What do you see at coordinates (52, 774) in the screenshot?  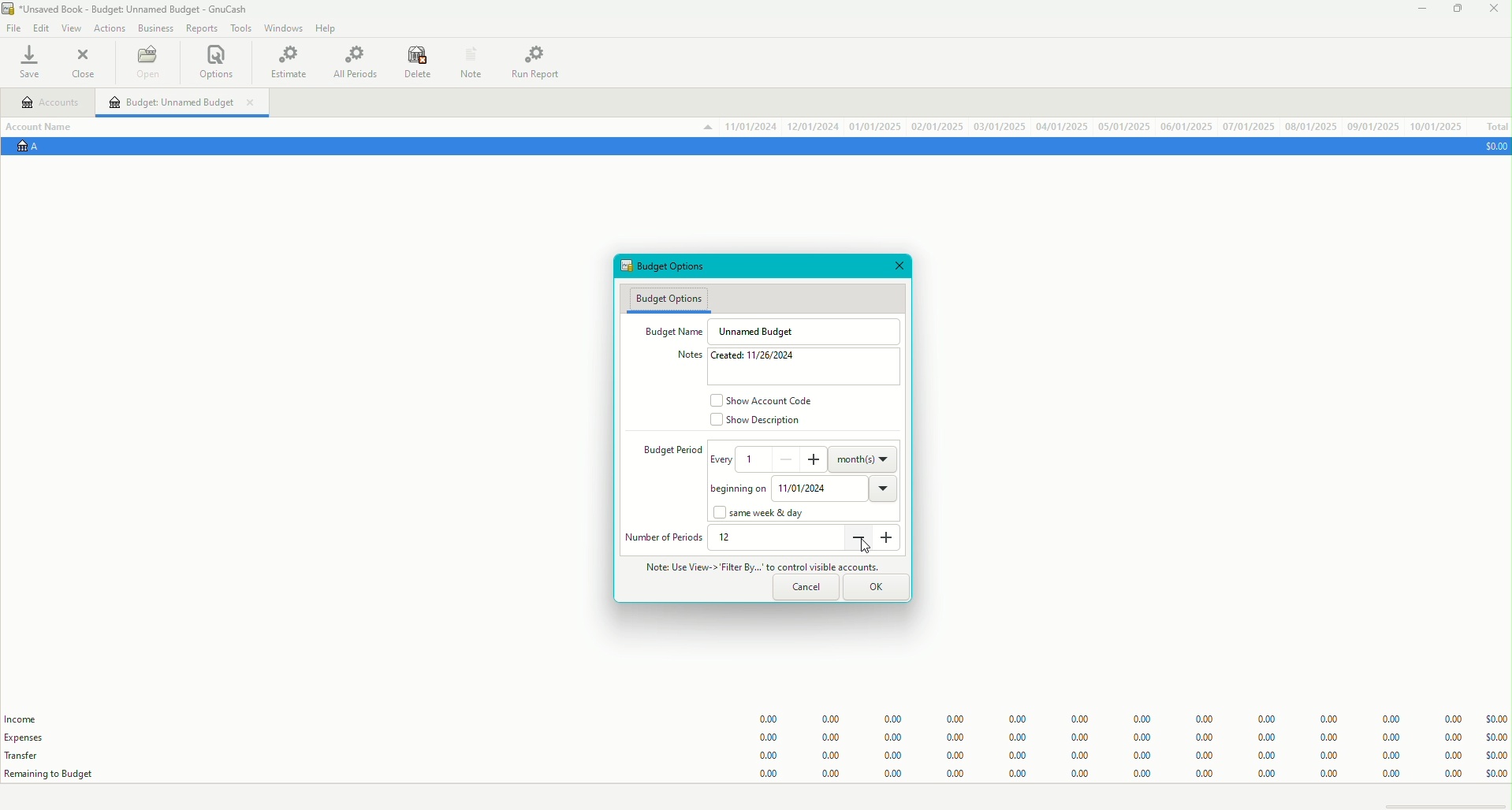 I see `Remaining to Budget` at bounding box center [52, 774].